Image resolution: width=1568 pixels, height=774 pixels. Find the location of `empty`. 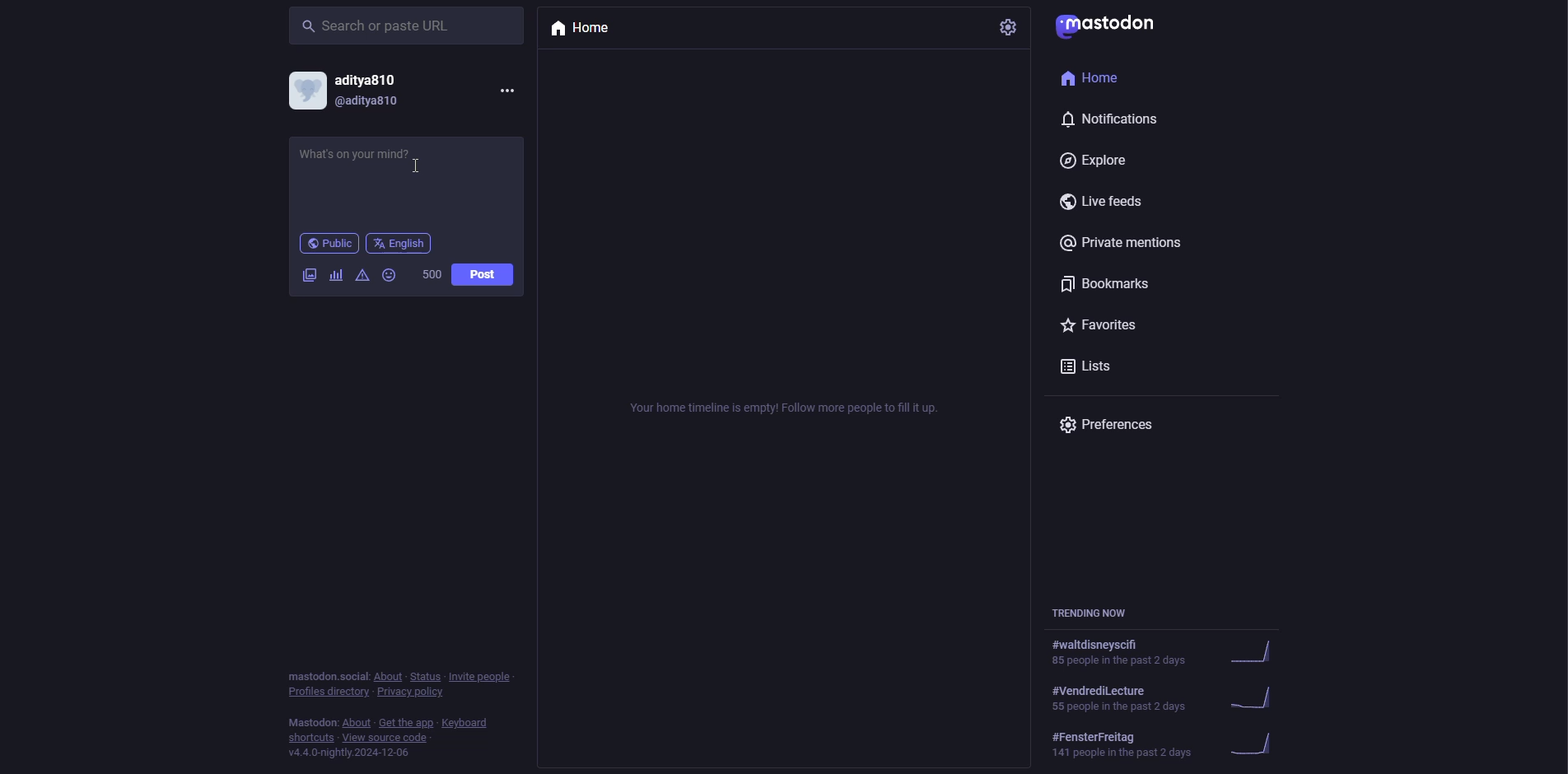

empty is located at coordinates (791, 405).